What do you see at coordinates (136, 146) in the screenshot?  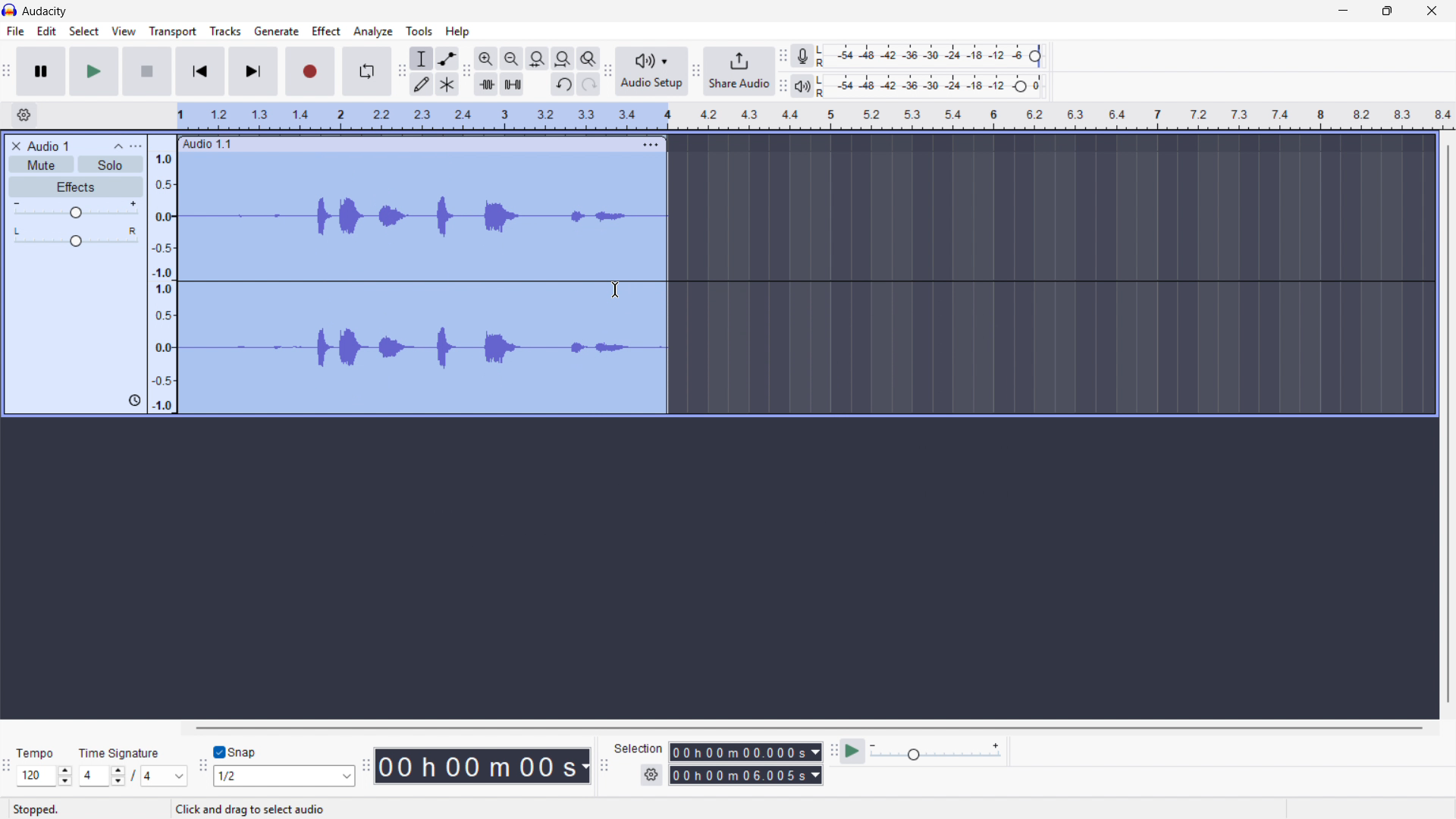 I see `Track control panel menu` at bounding box center [136, 146].